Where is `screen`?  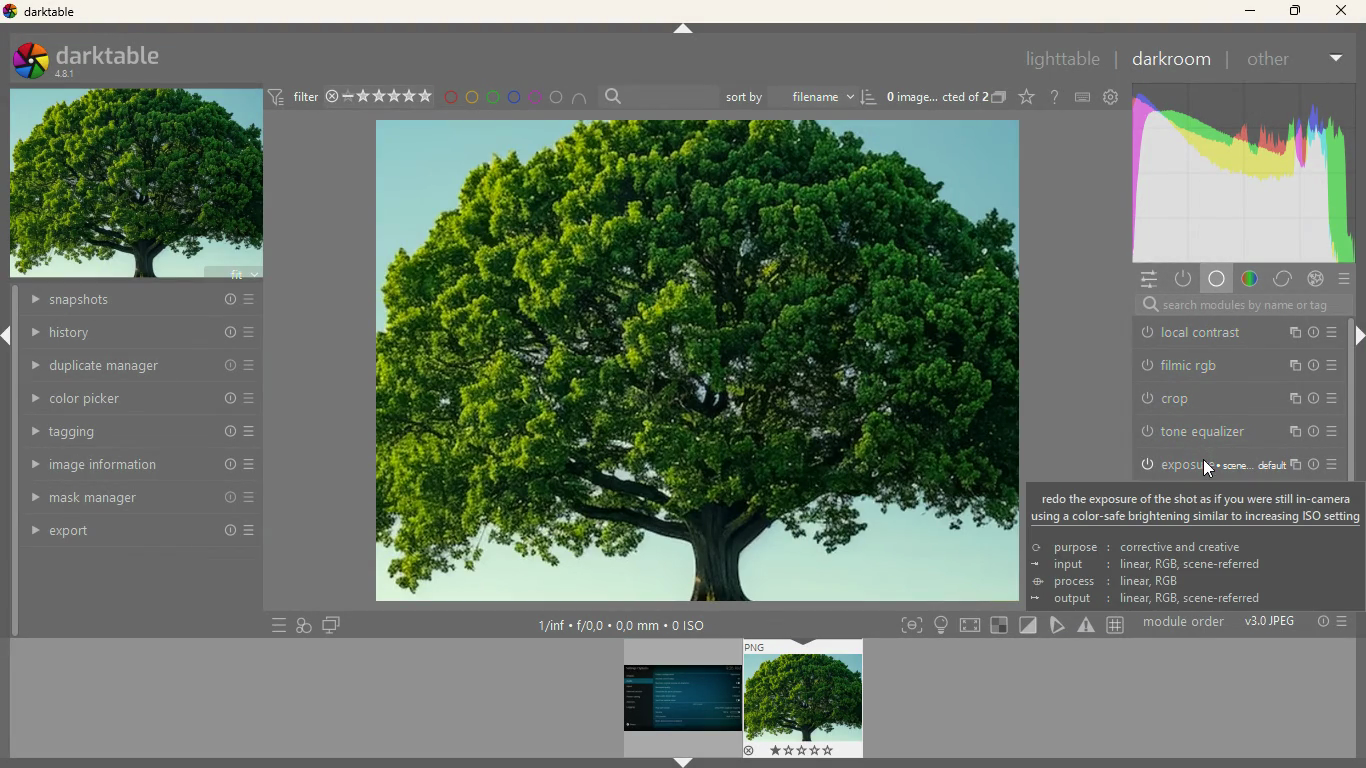 screen is located at coordinates (332, 624).